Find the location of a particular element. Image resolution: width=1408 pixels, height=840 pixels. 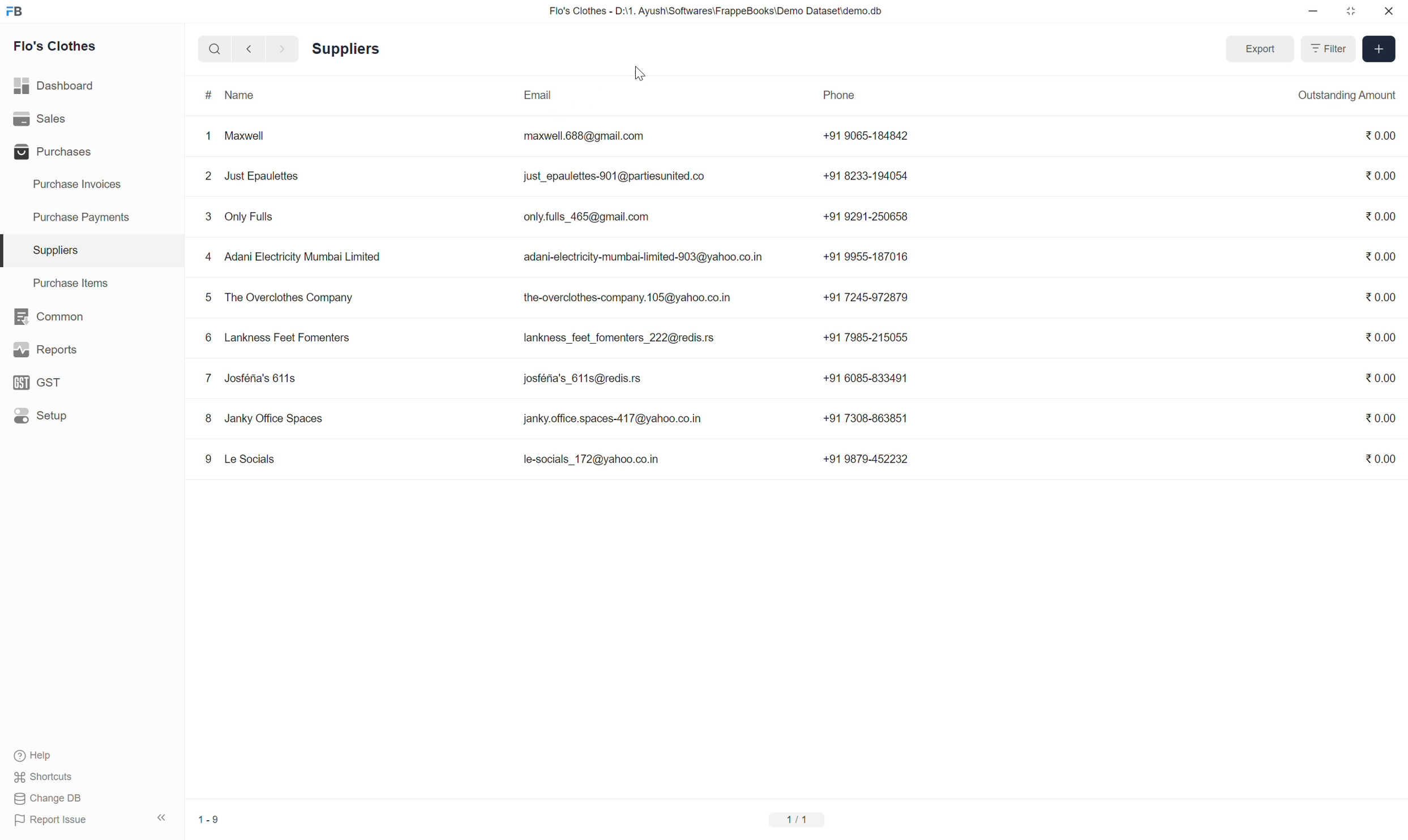

Report issue is located at coordinates (55, 820).